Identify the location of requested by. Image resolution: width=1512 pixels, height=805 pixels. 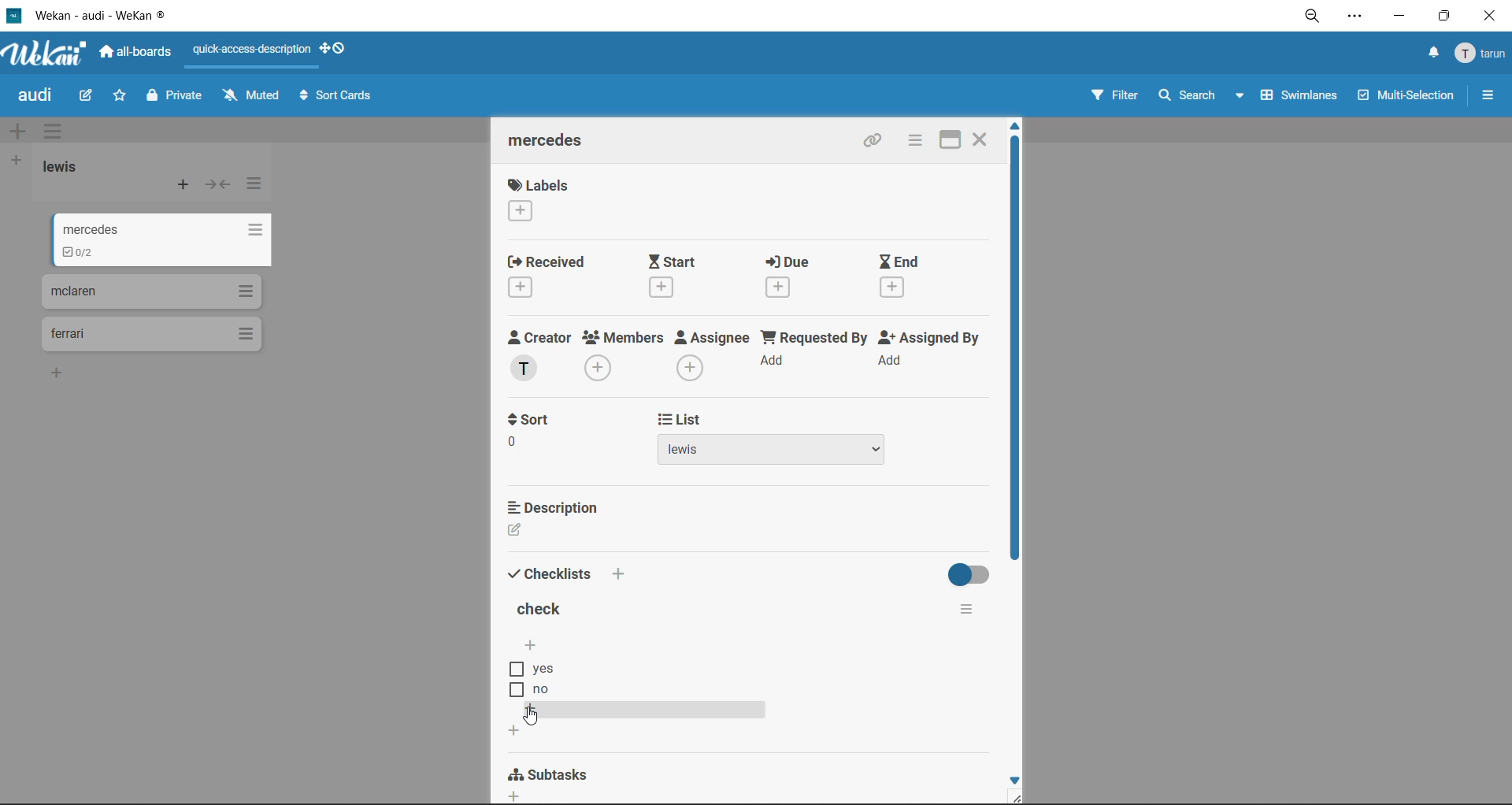
(812, 339).